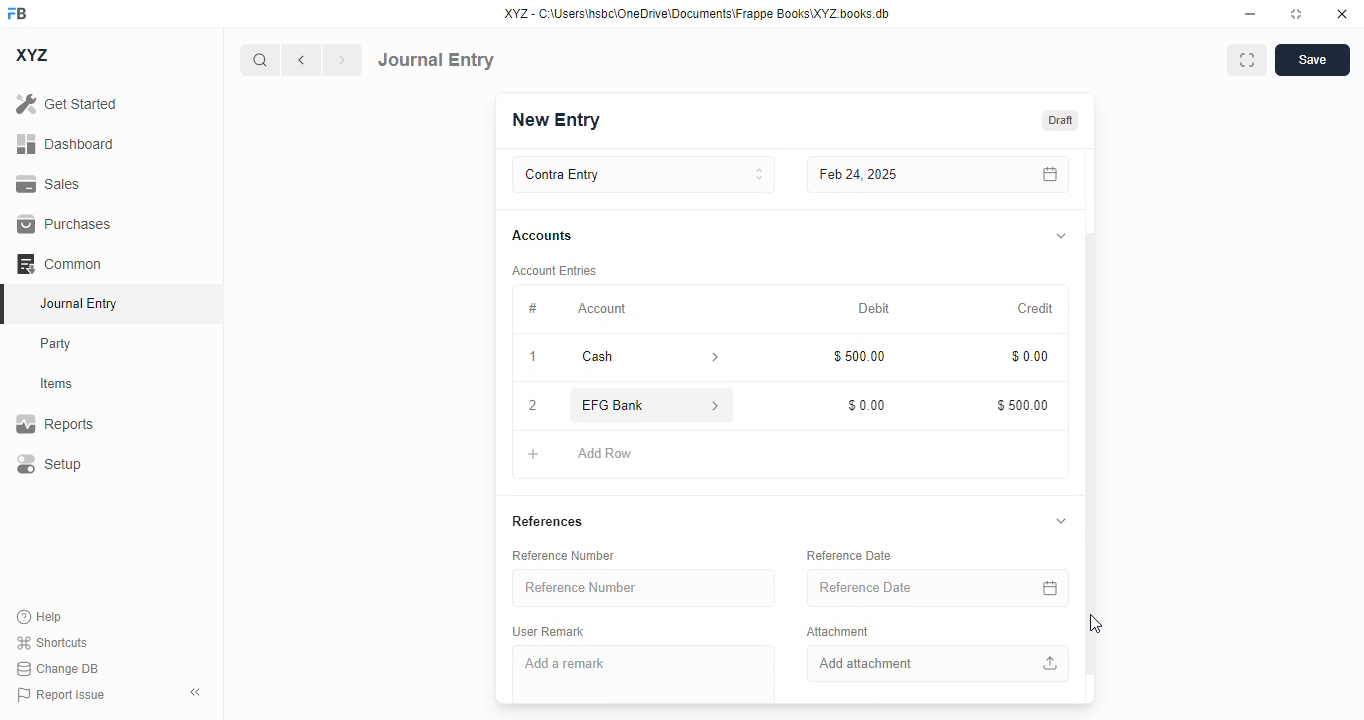 The width and height of the screenshot is (1364, 720). I want to click on help, so click(40, 617).